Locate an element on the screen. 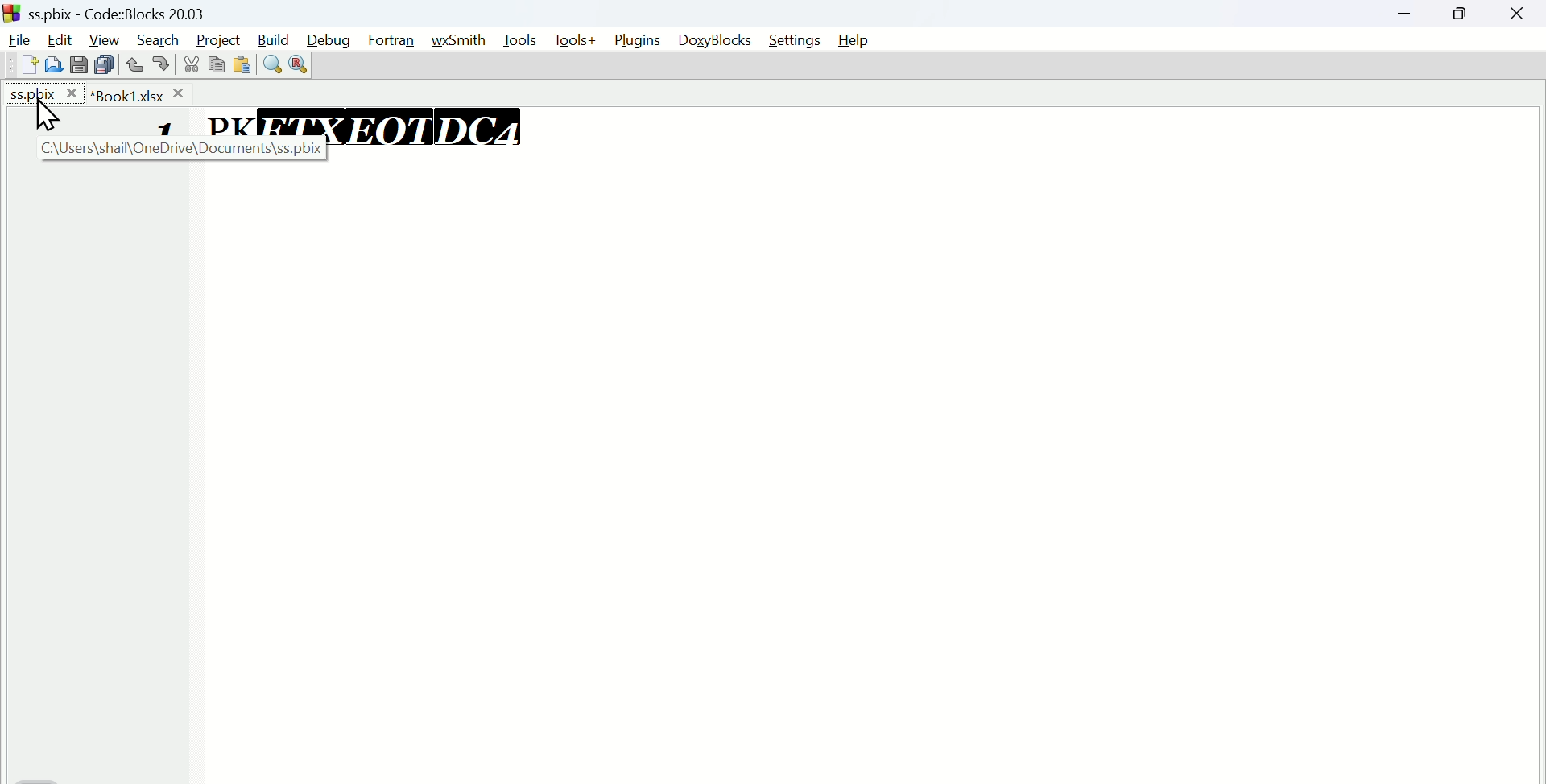 The width and height of the screenshot is (1546, 784). redo is located at coordinates (163, 64).